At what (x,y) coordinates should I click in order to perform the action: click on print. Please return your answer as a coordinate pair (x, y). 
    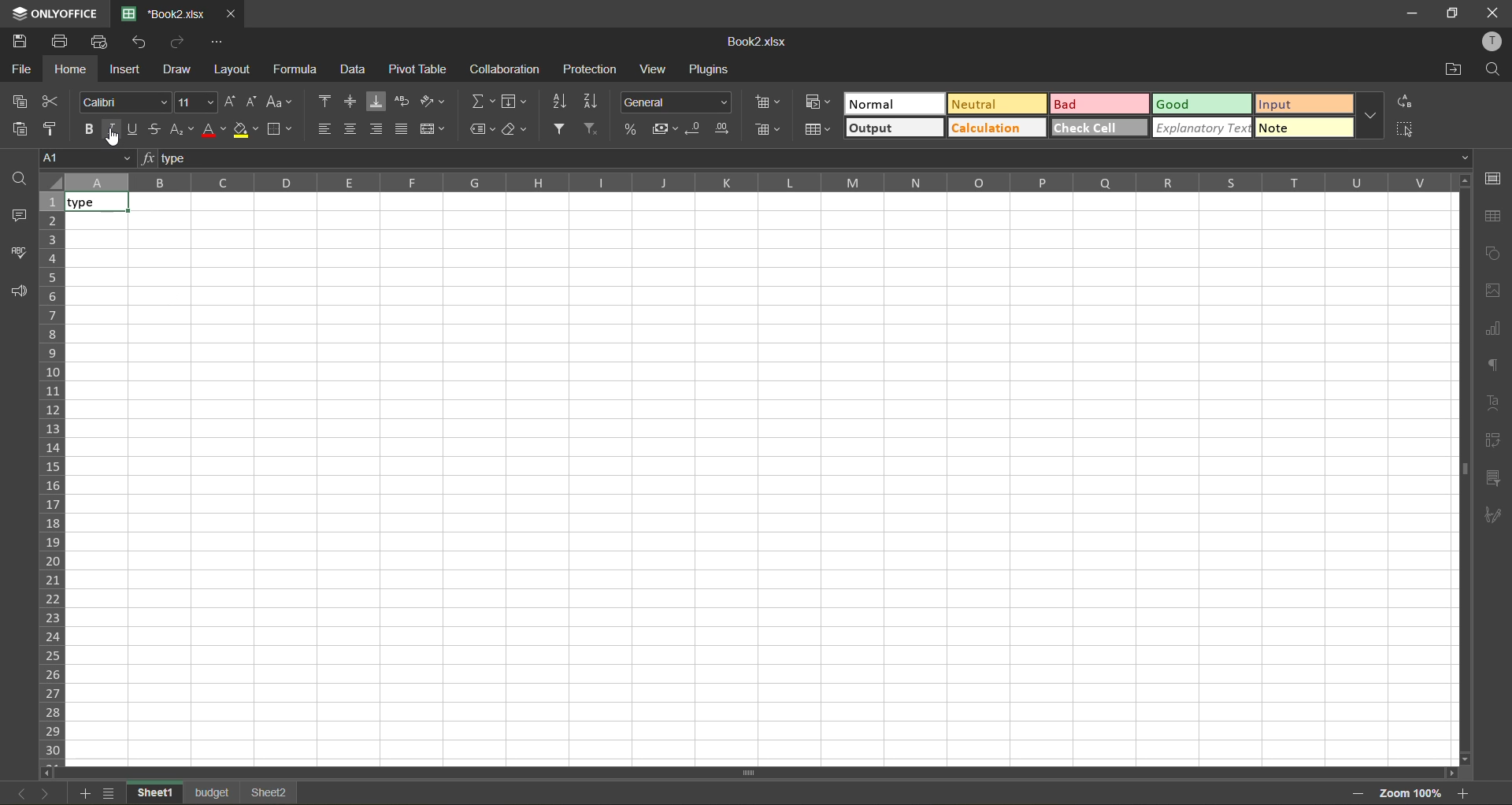
    Looking at the image, I should click on (59, 43).